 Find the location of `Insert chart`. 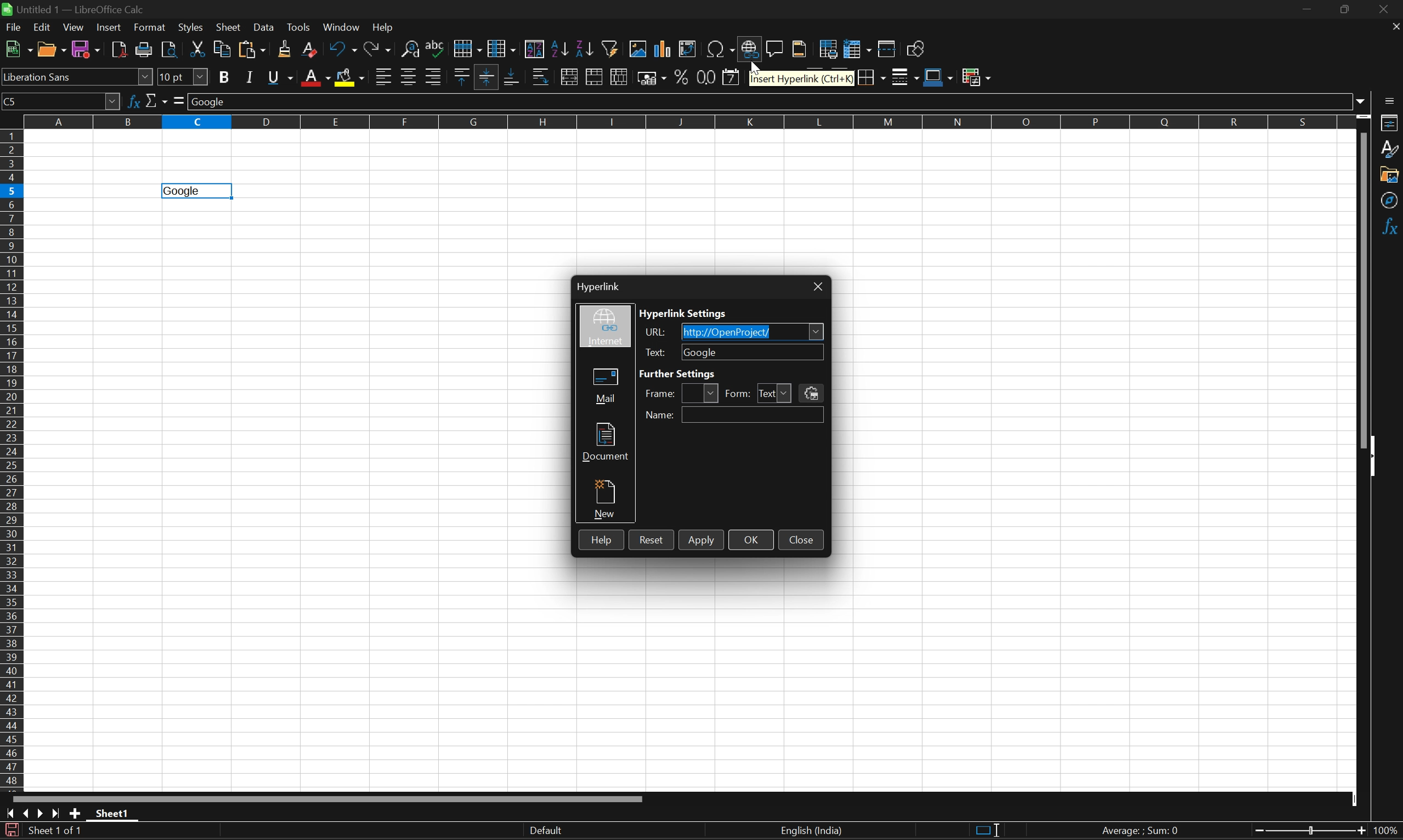

Insert chart is located at coordinates (661, 48).